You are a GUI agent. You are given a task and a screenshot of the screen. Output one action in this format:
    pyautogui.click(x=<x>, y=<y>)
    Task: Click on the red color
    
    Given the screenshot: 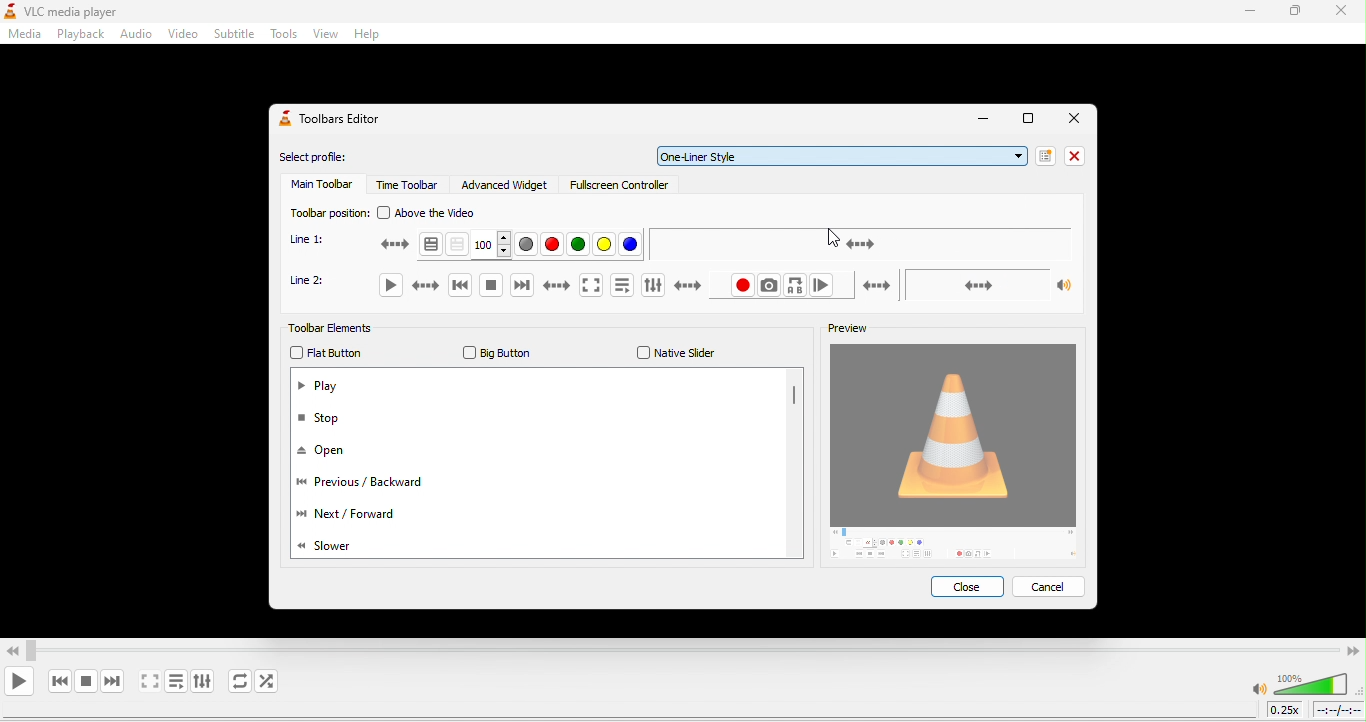 What is the action you would take?
    pyautogui.click(x=550, y=245)
    